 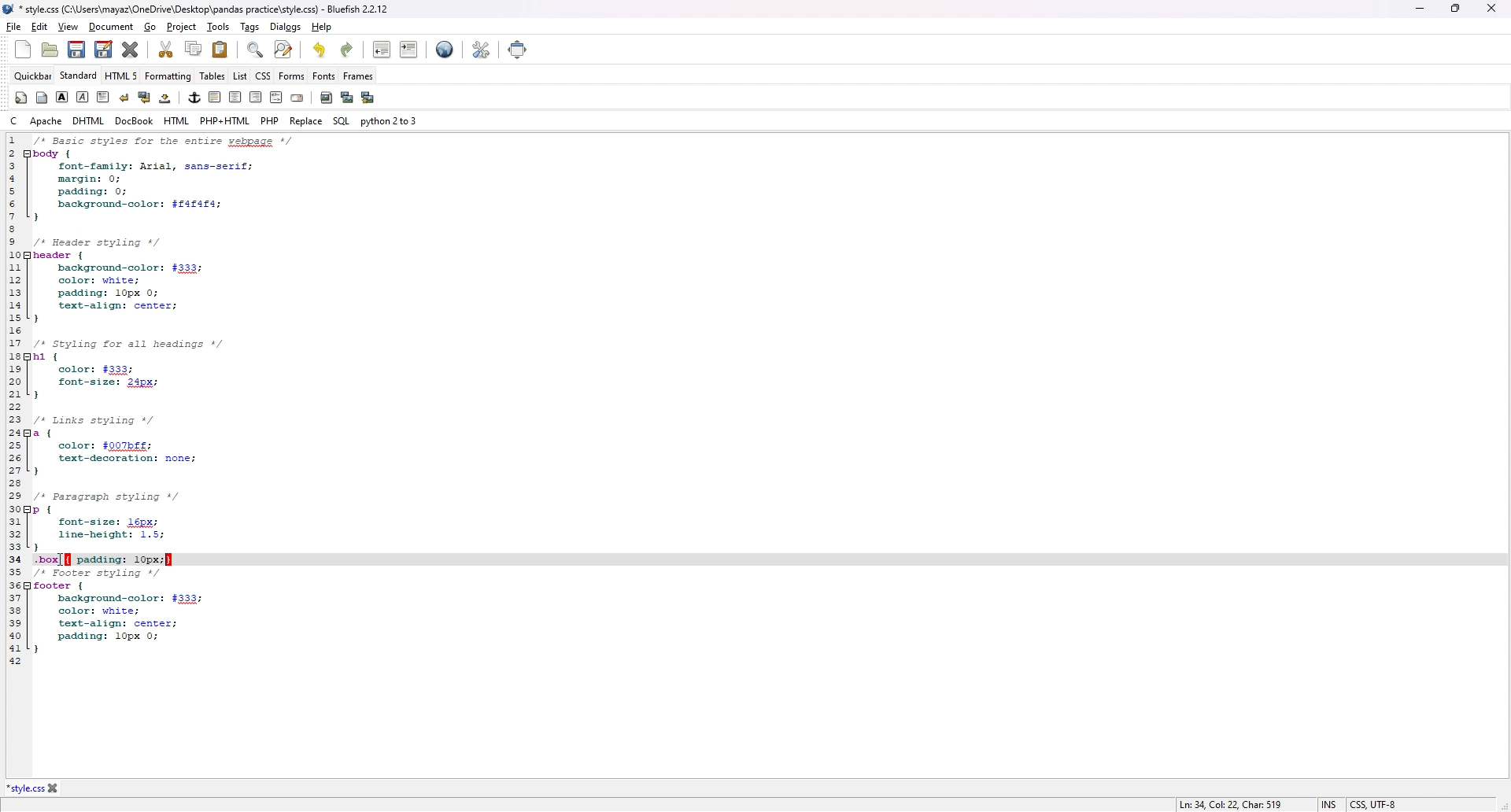 What do you see at coordinates (64, 559) in the screenshot?
I see `Cursor` at bounding box center [64, 559].